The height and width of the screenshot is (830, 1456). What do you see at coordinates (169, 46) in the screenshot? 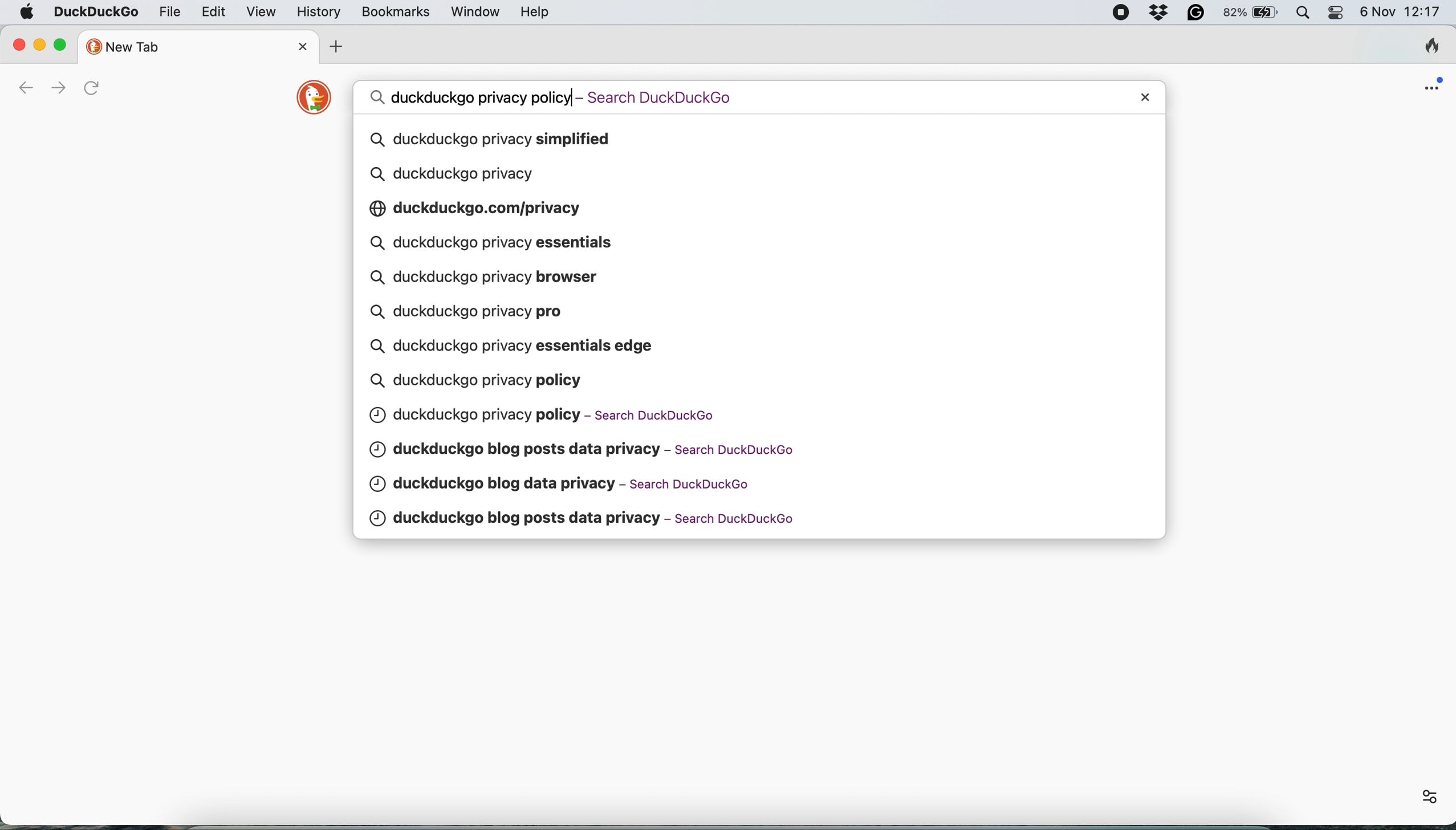
I see `new tab` at bounding box center [169, 46].